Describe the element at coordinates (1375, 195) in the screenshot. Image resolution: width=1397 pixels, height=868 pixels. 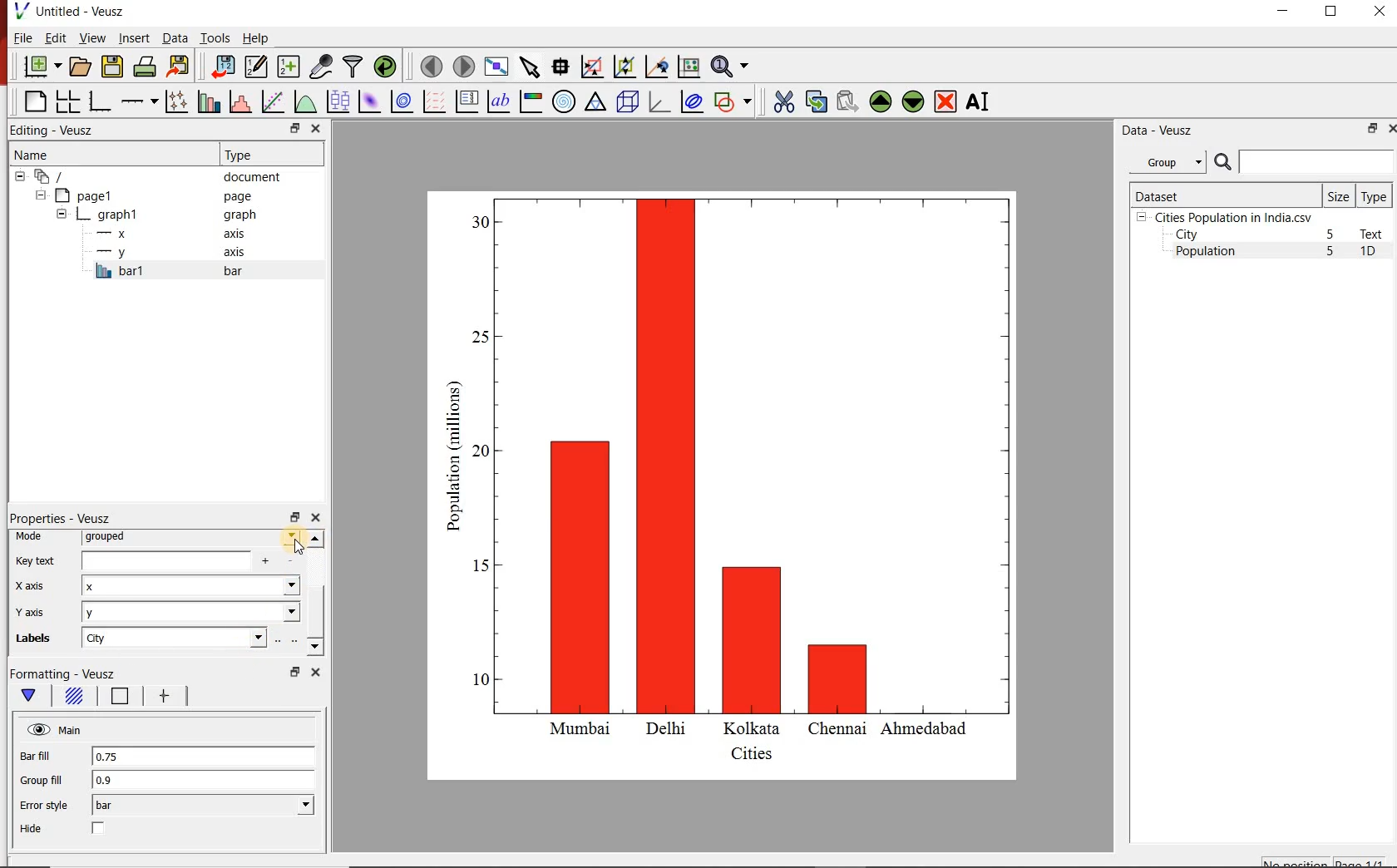
I see `Type` at that location.